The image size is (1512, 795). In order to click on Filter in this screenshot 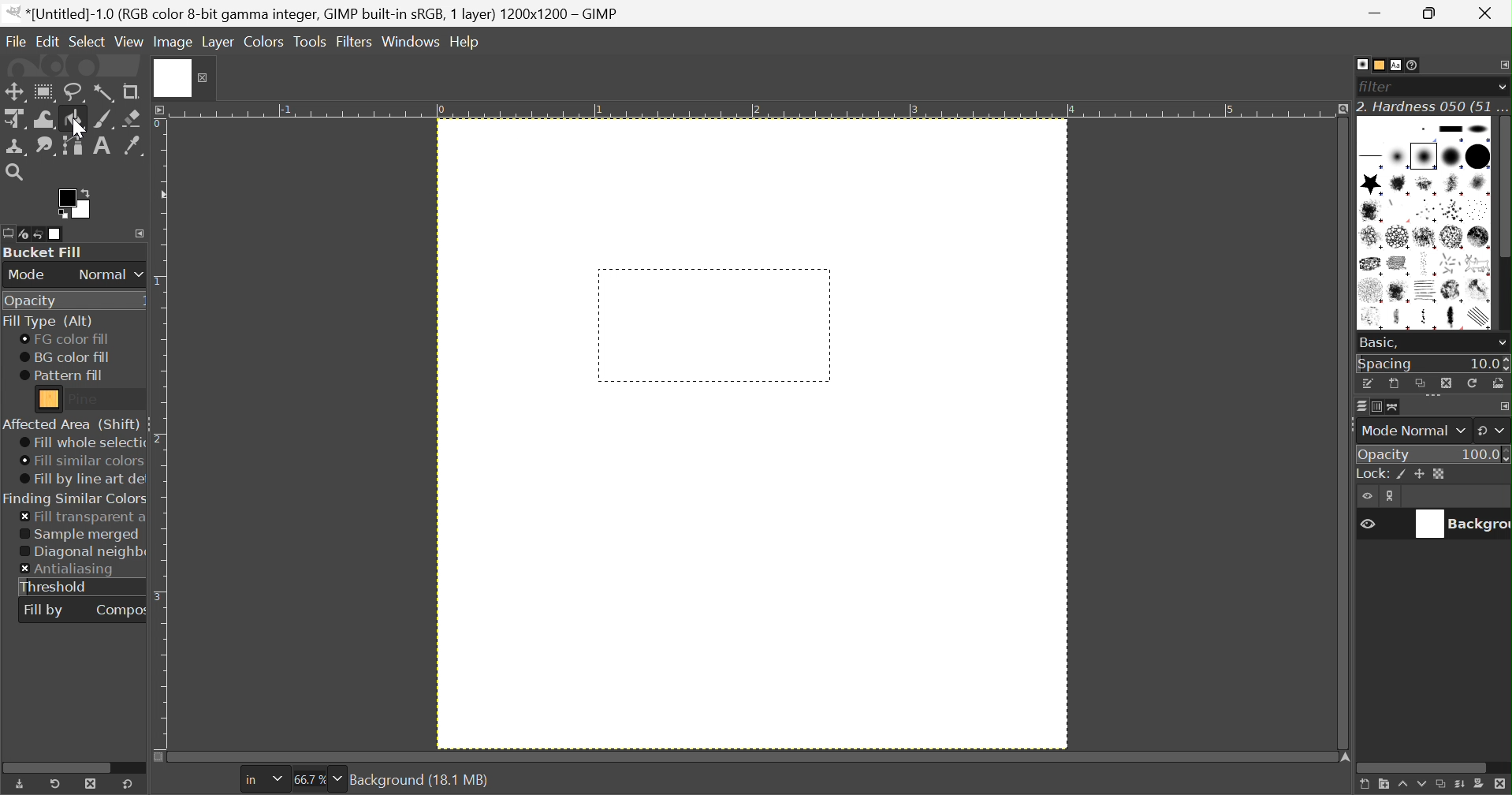, I will do `click(1380, 87)`.